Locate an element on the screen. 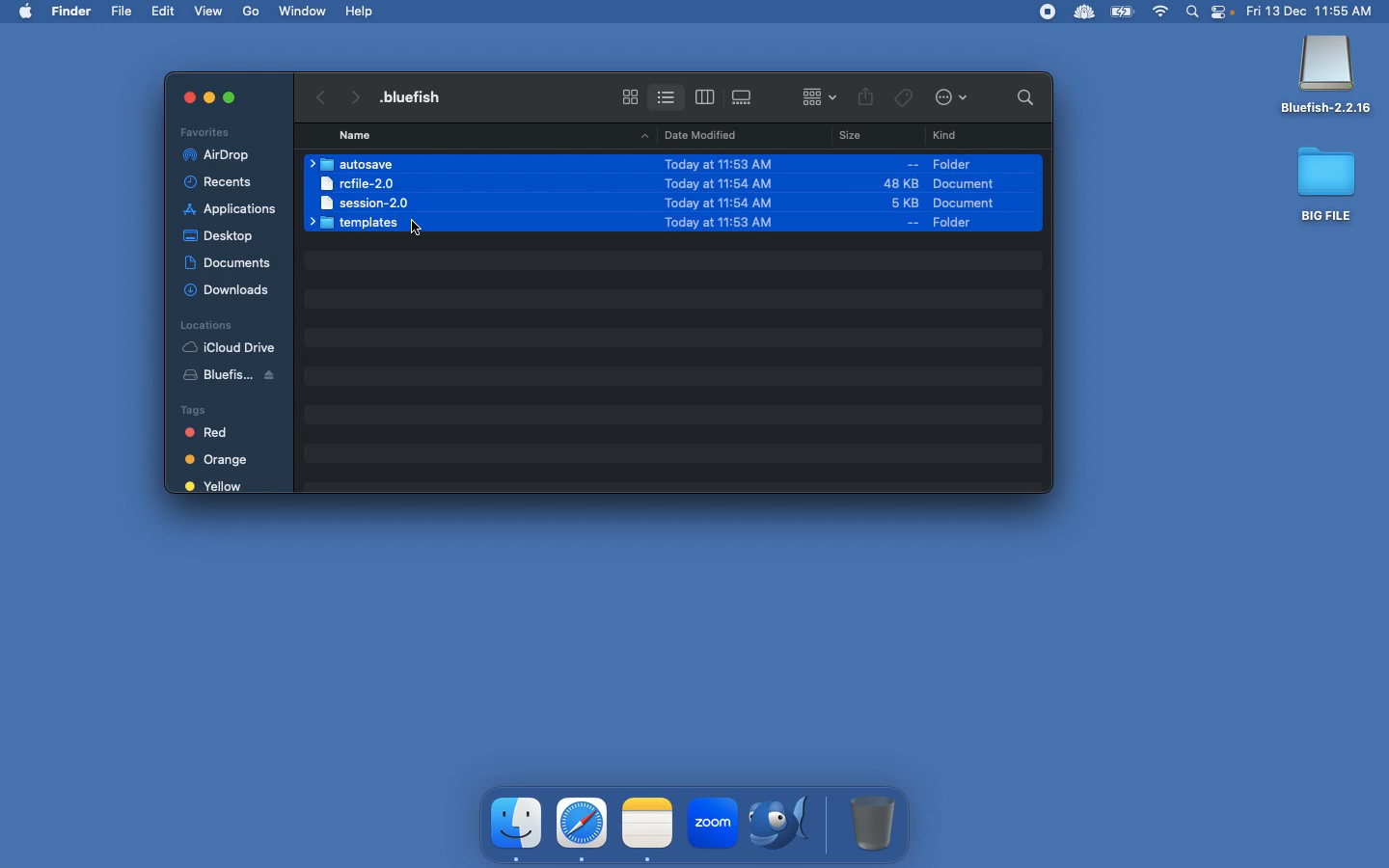   is located at coordinates (230, 96).